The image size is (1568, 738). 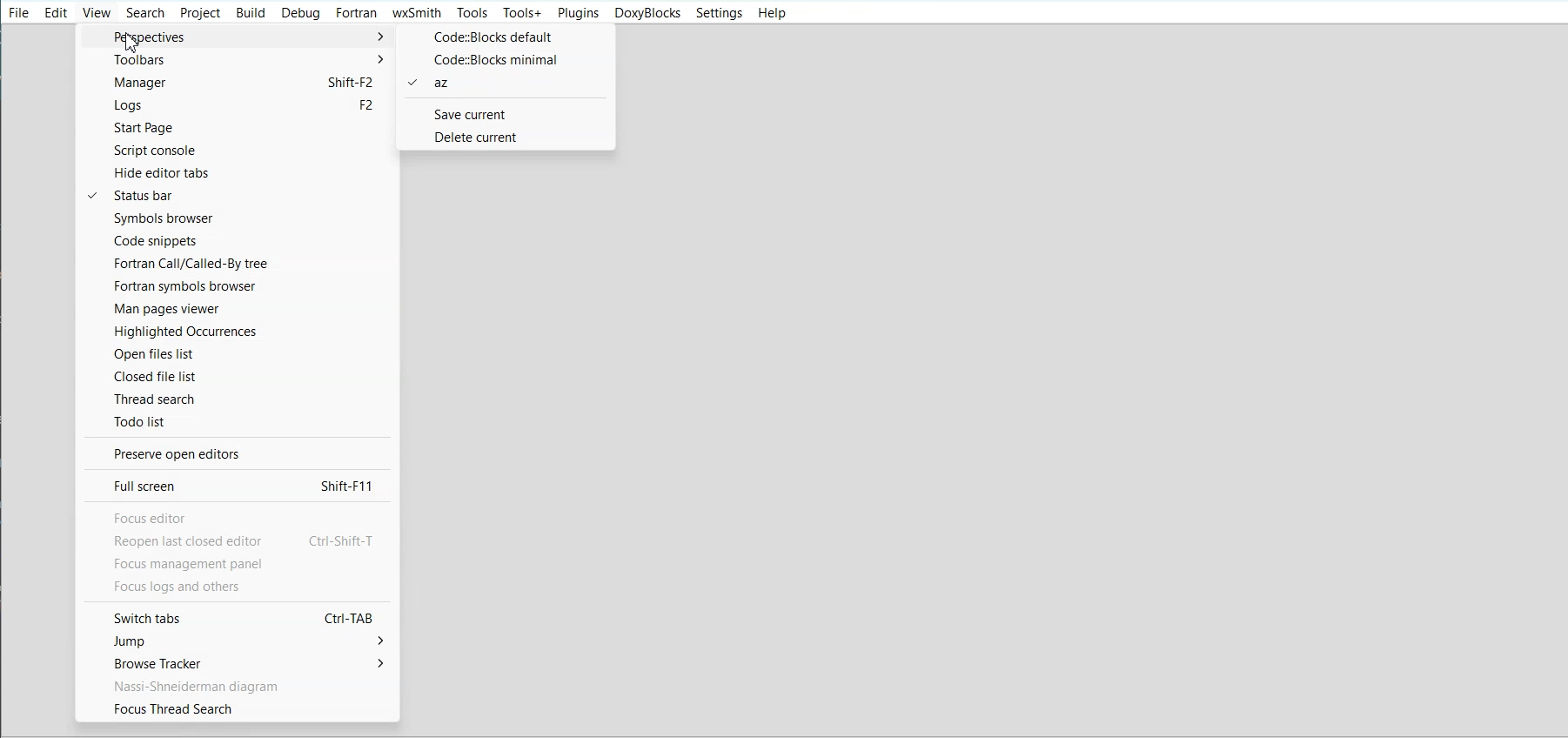 I want to click on Start Page, so click(x=239, y=128).